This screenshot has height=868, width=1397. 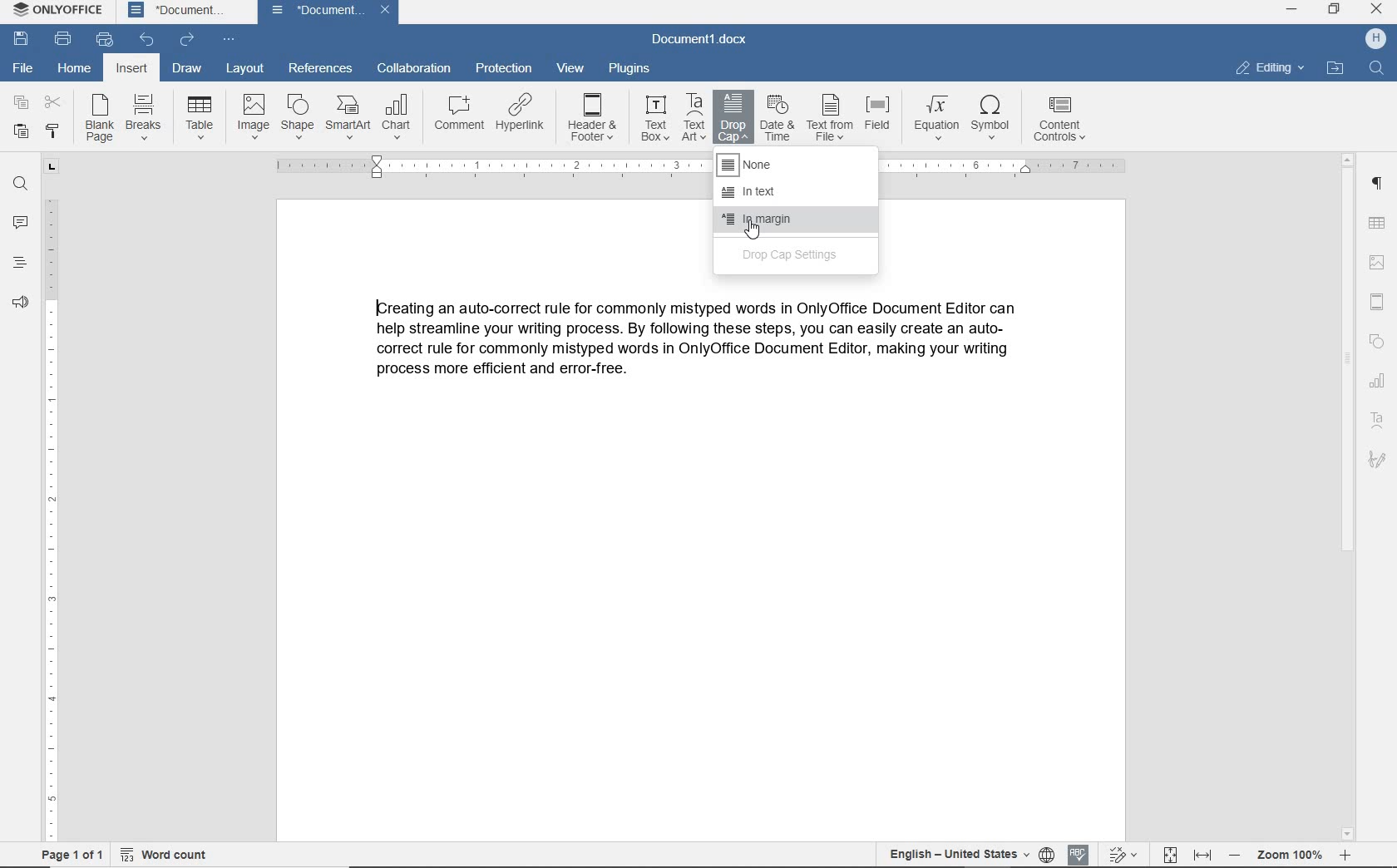 I want to click on image, so click(x=253, y=116).